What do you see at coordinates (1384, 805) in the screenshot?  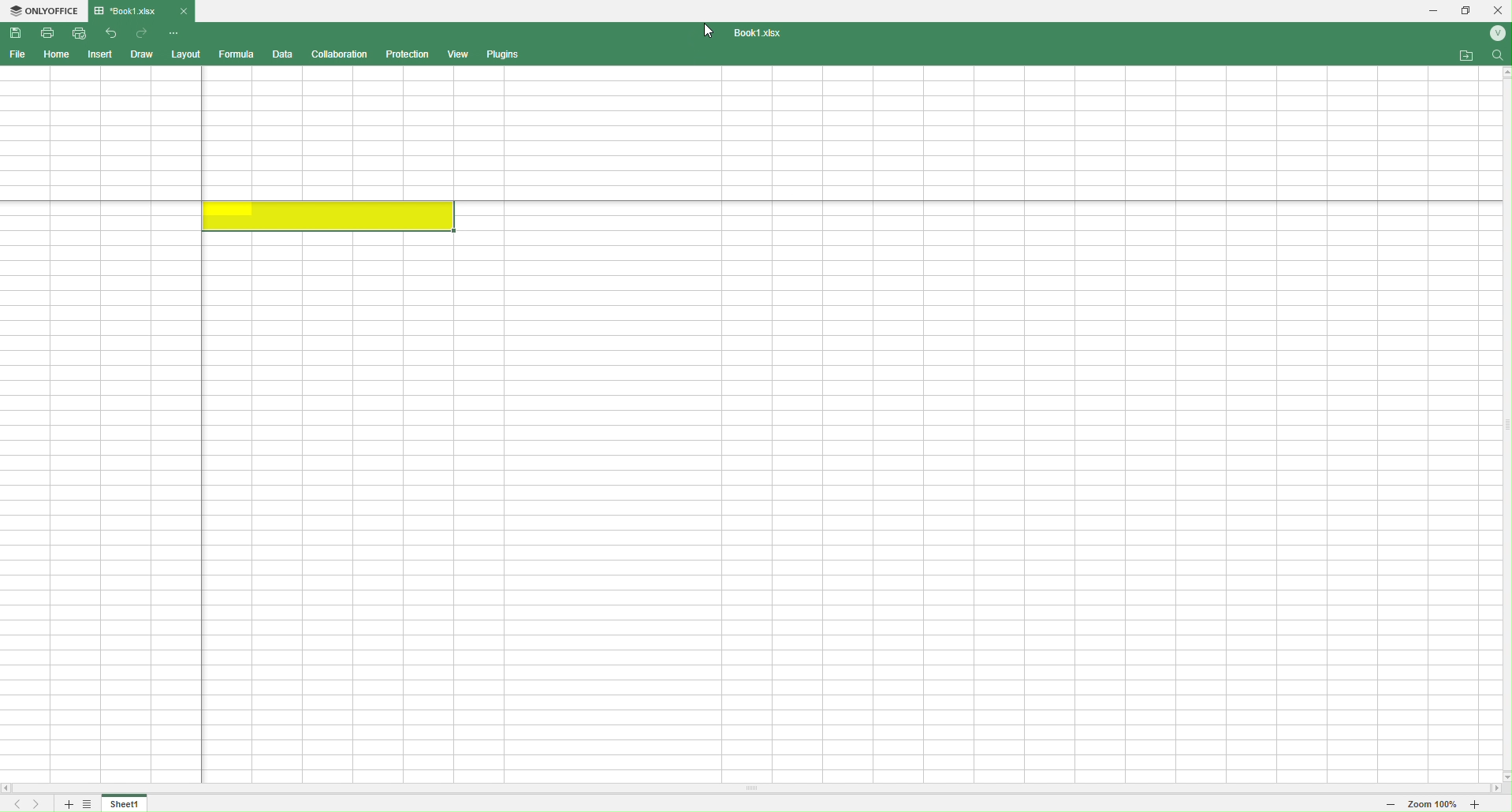 I see `Zoom out` at bounding box center [1384, 805].